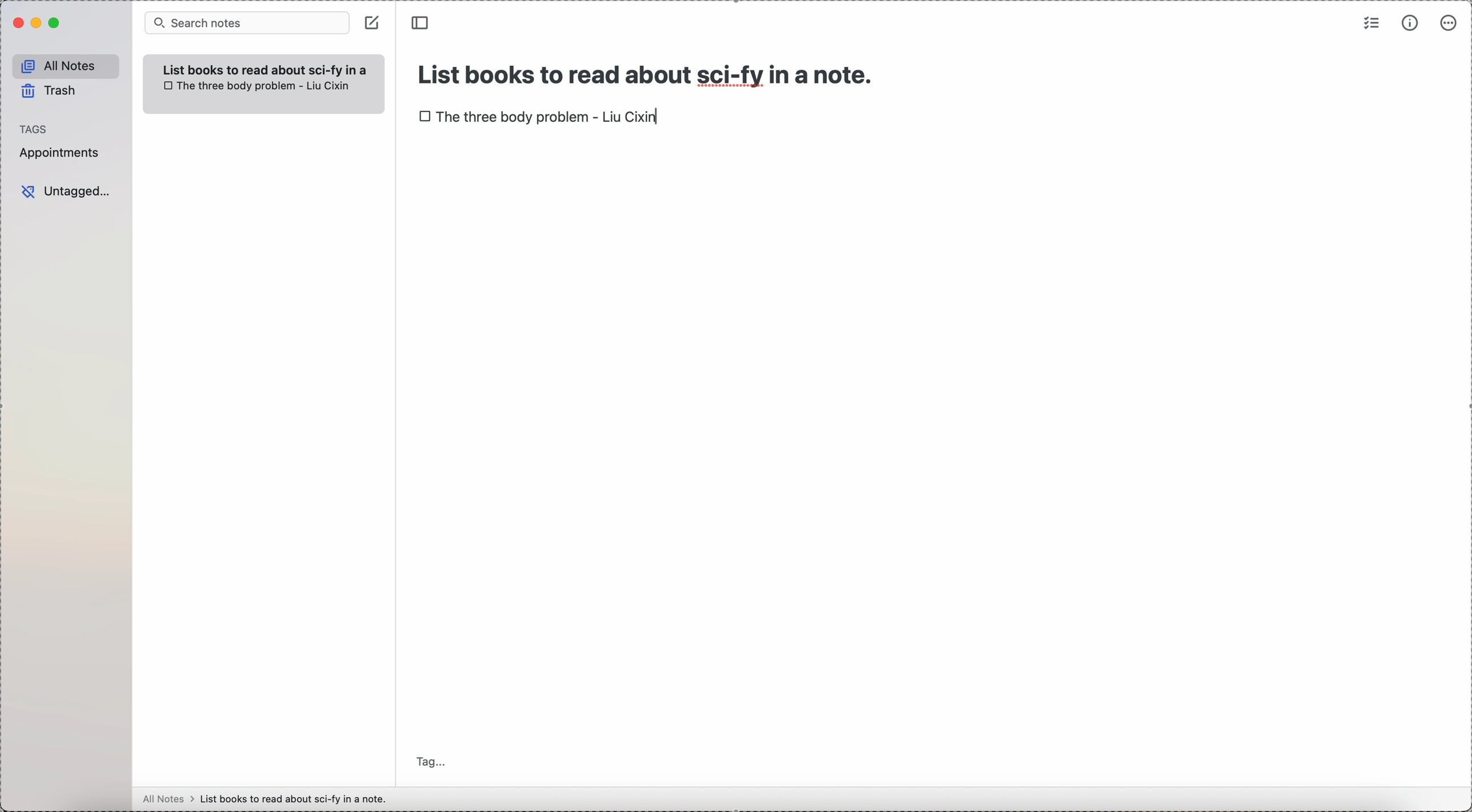 Image resolution: width=1472 pixels, height=812 pixels. What do you see at coordinates (425, 115) in the screenshot?
I see `checkbox` at bounding box center [425, 115].